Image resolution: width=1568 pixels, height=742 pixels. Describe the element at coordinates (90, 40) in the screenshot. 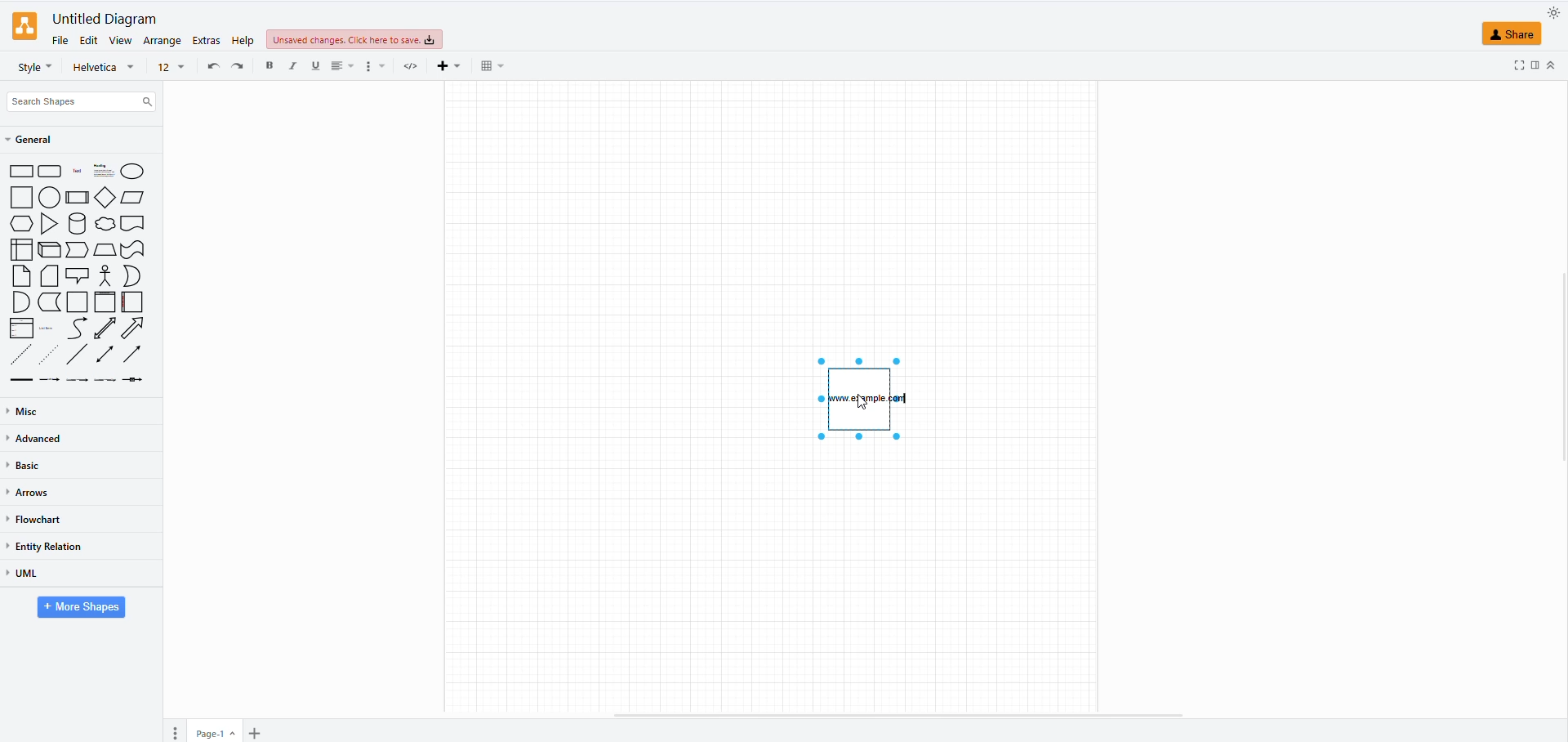

I see `edit` at that location.